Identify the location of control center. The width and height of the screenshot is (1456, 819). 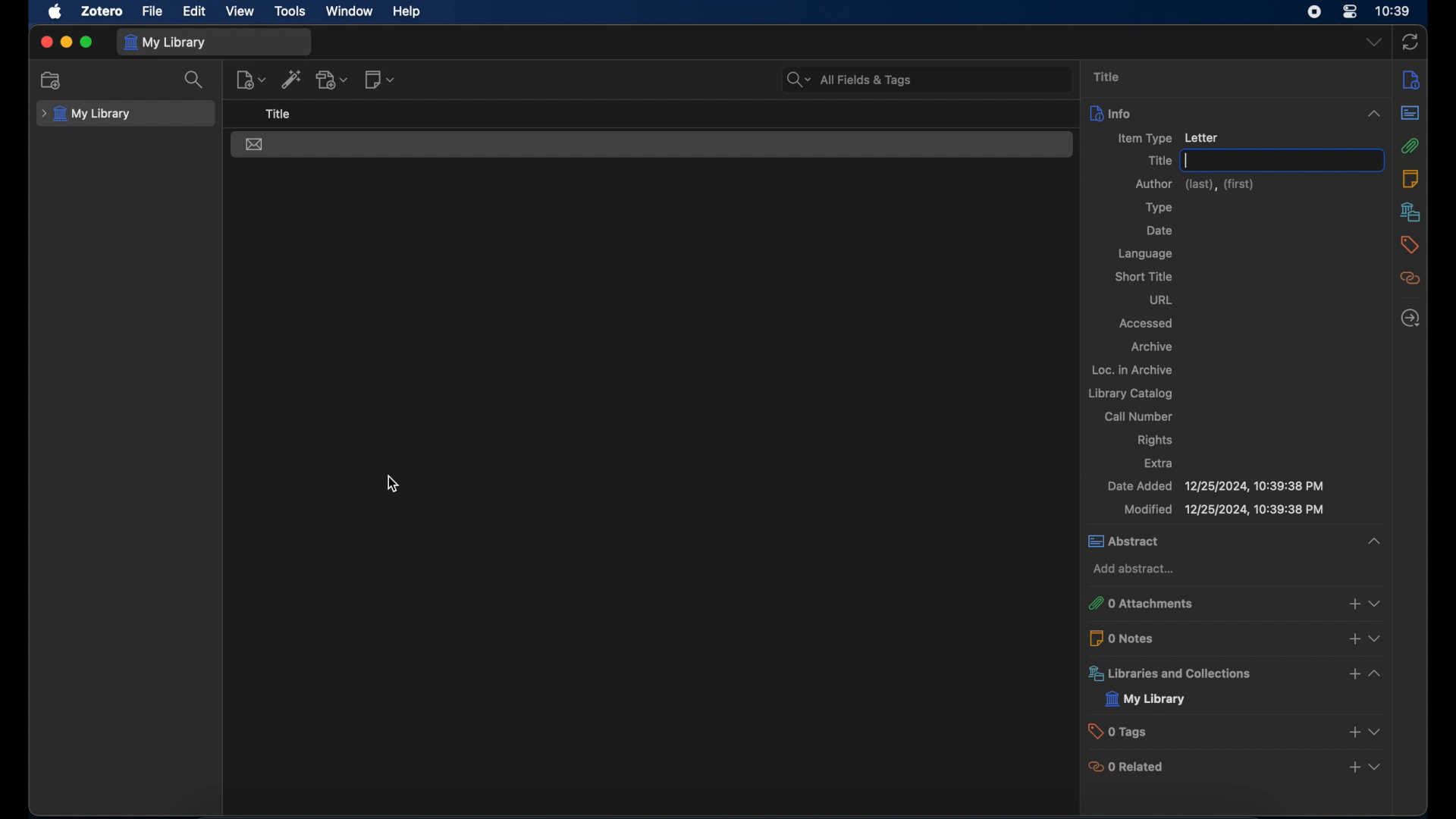
(1350, 11).